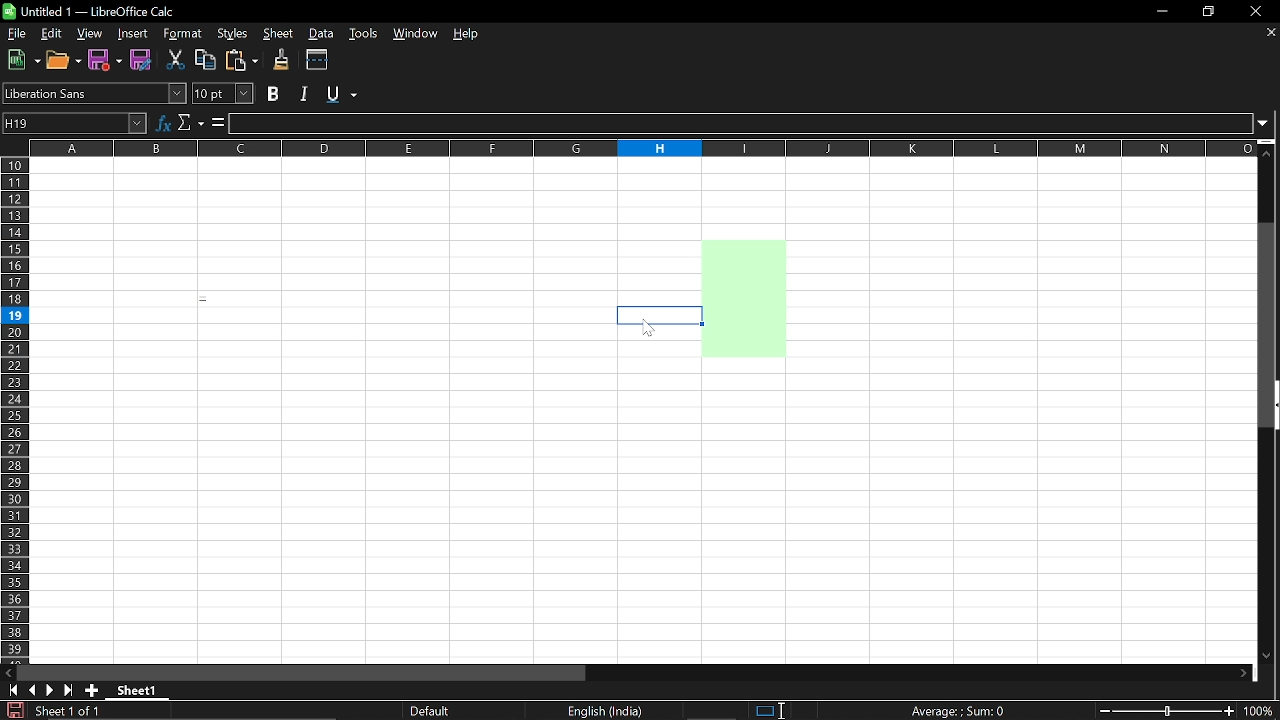 The width and height of the screenshot is (1280, 720). I want to click on Fillable cell, so click(743, 198).